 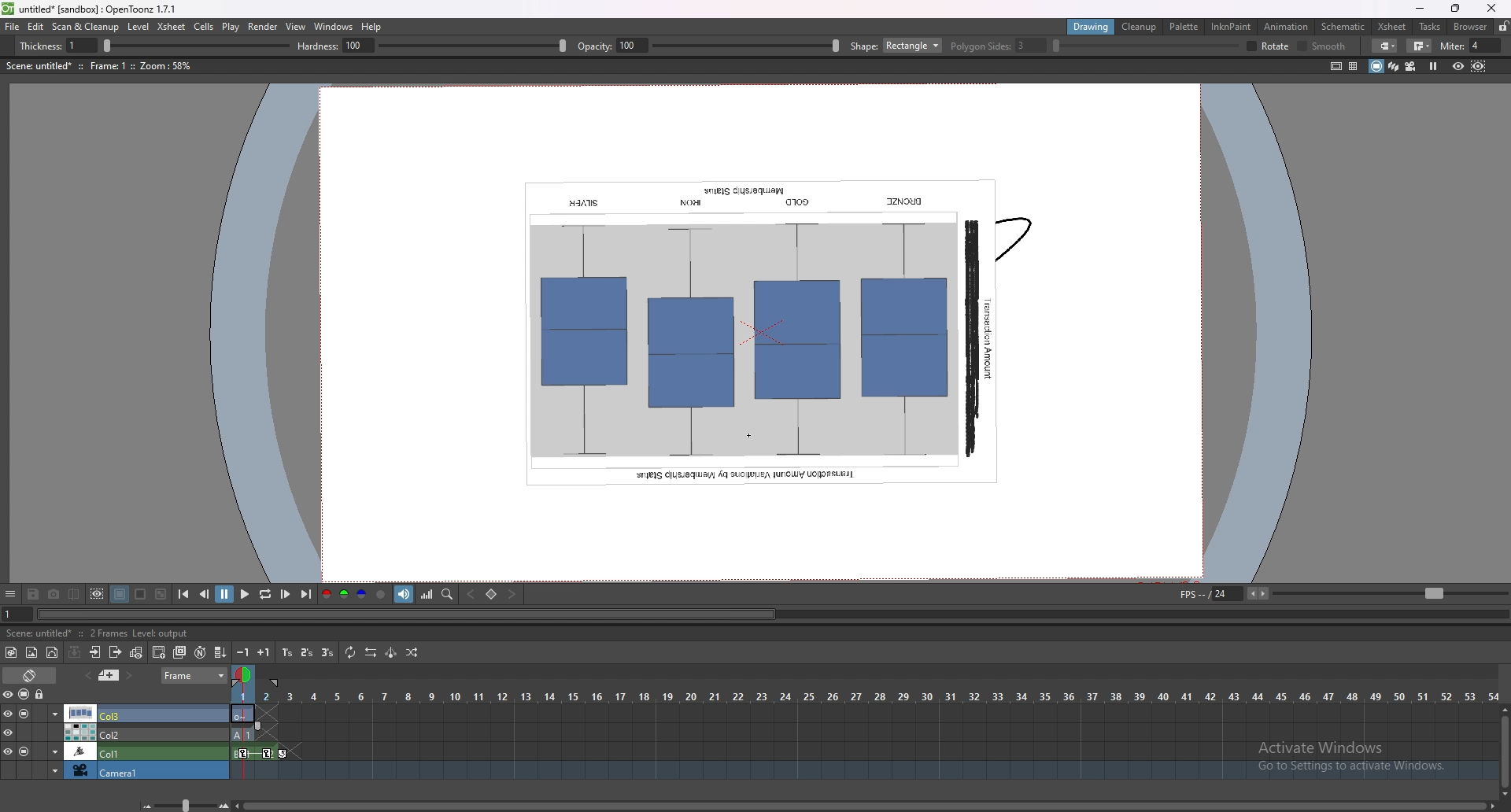 I want to click on auto input cell number, so click(x=199, y=652).